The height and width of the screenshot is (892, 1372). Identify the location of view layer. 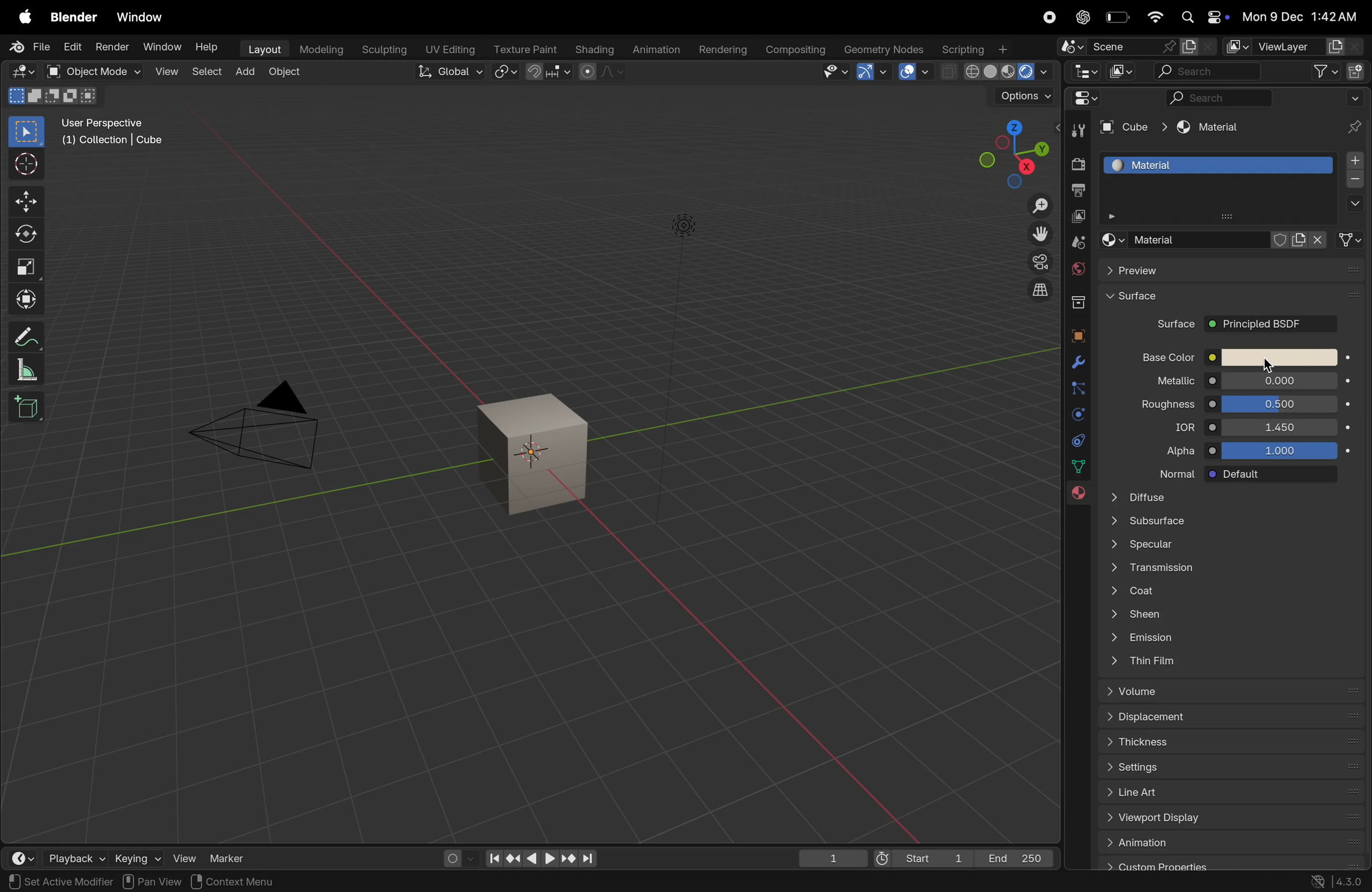
(1076, 218).